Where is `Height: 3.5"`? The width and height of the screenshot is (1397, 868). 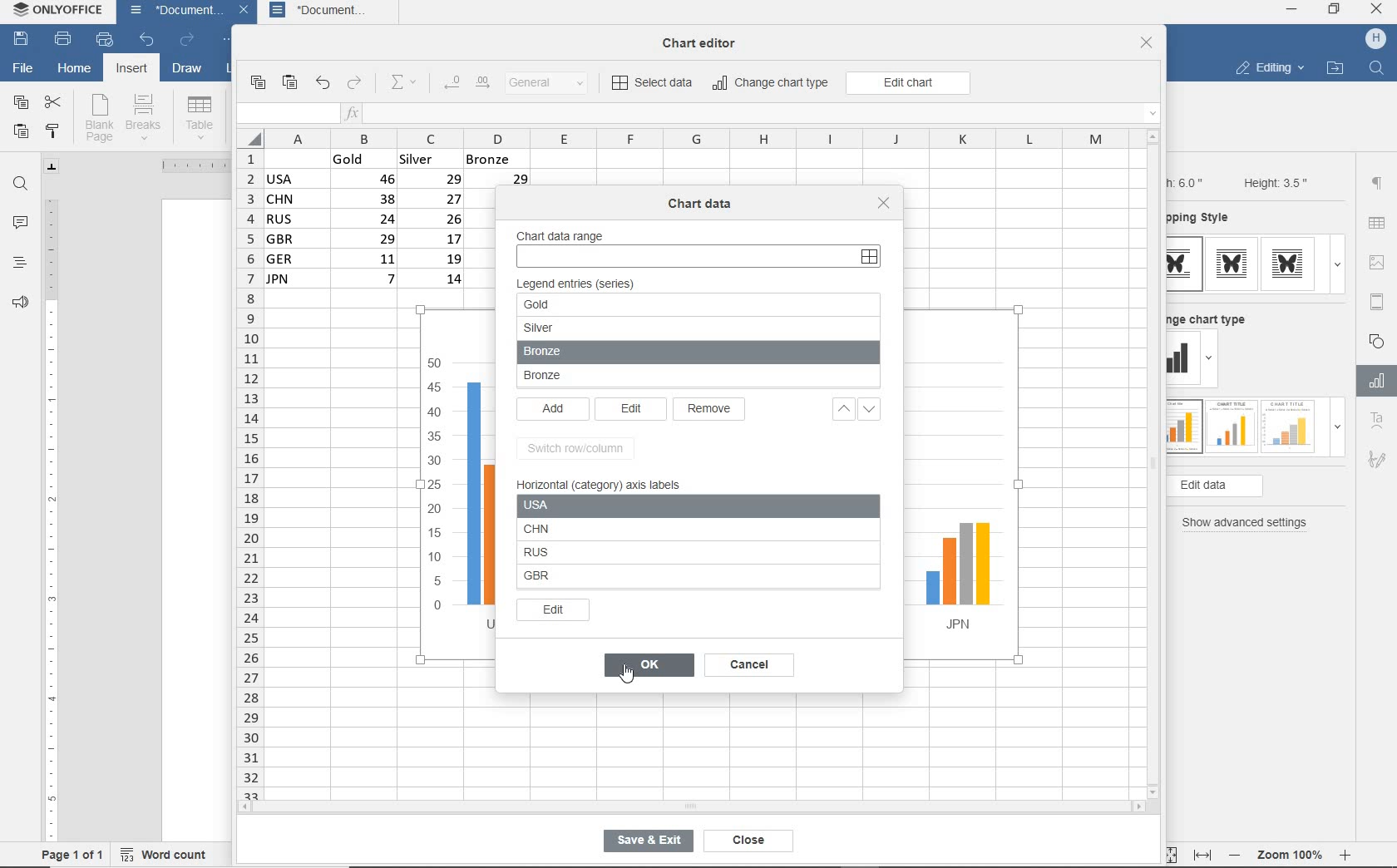 Height: 3.5" is located at coordinates (1273, 182).